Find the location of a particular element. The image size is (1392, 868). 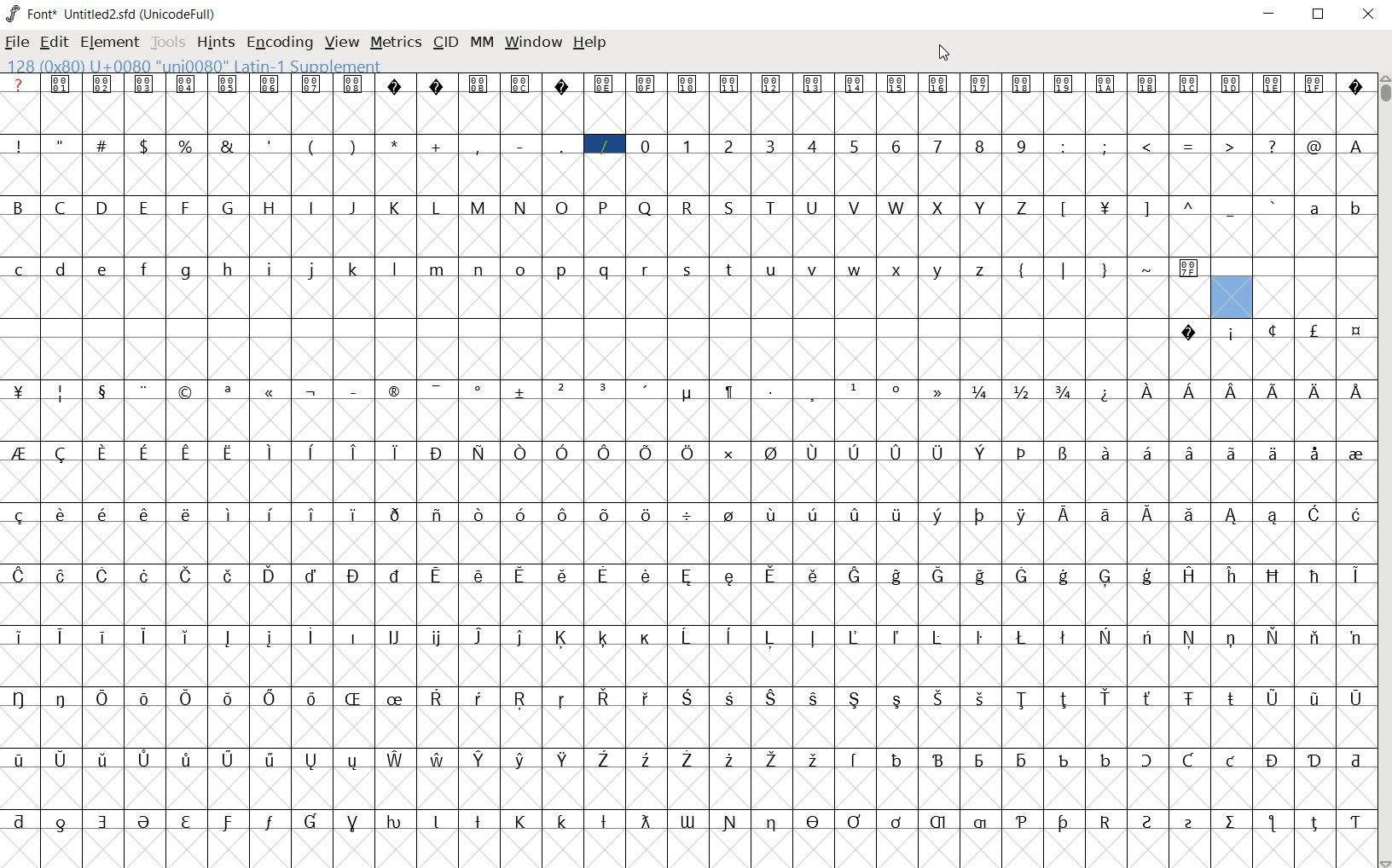

glyph is located at coordinates (1189, 637).